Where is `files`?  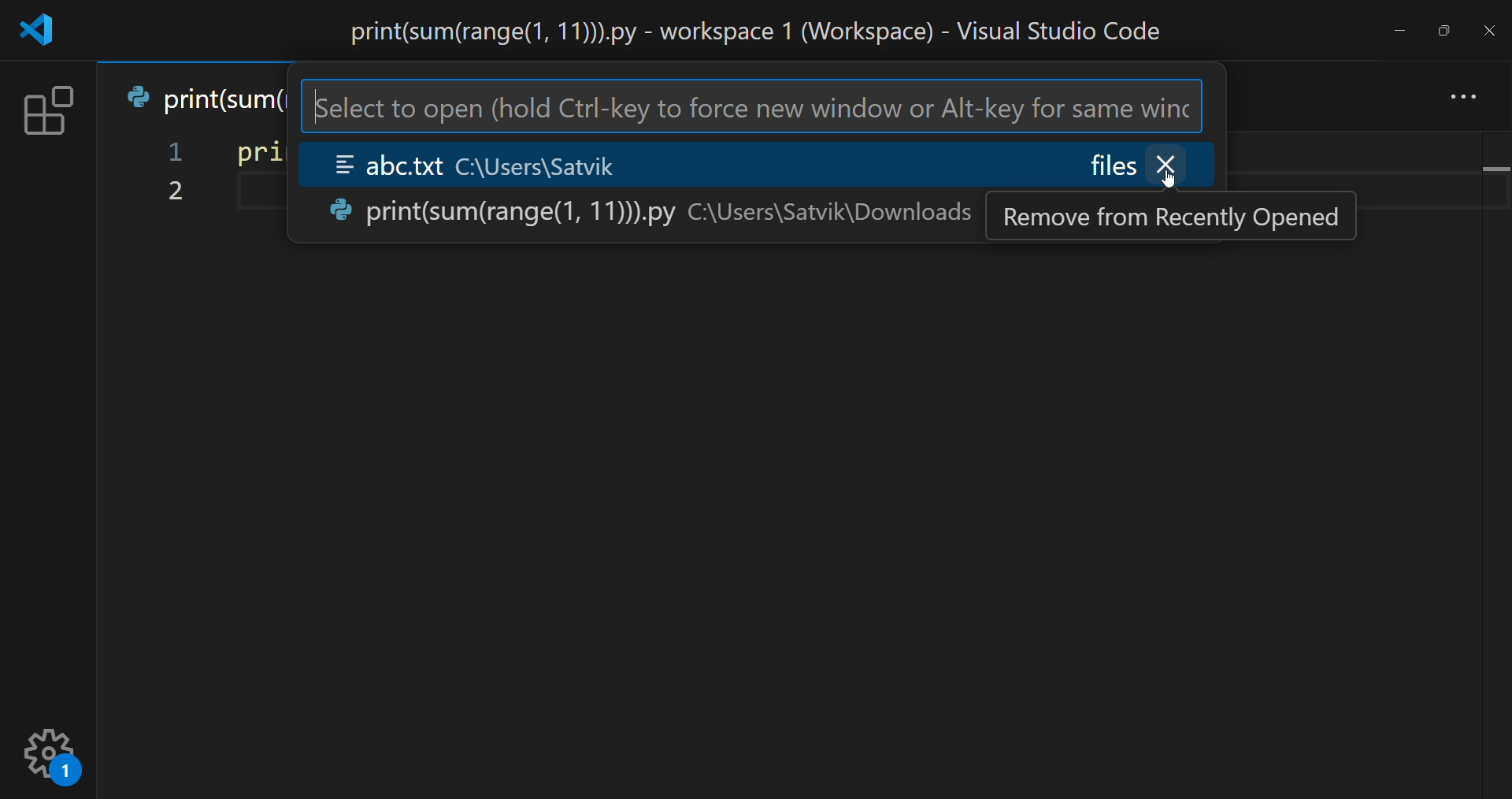
files is located at coordinates (1114, 164).